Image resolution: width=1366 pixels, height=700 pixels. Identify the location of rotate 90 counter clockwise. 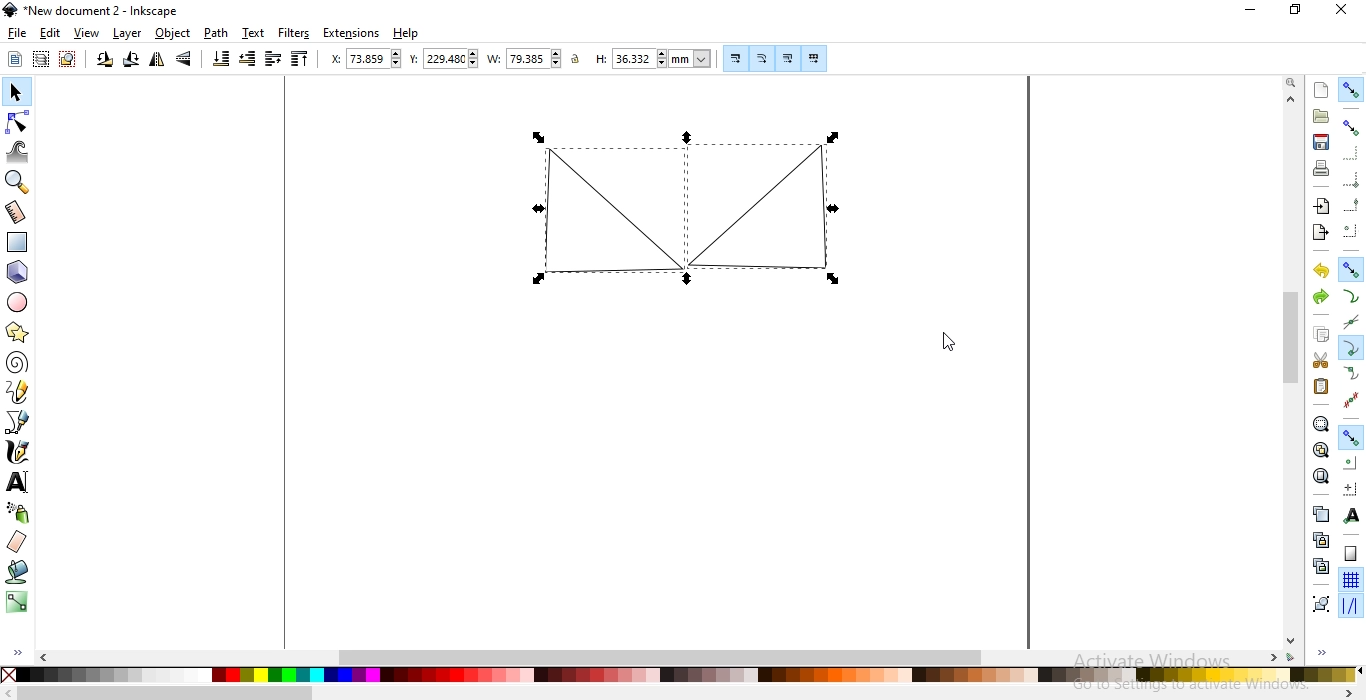
(104, 60).